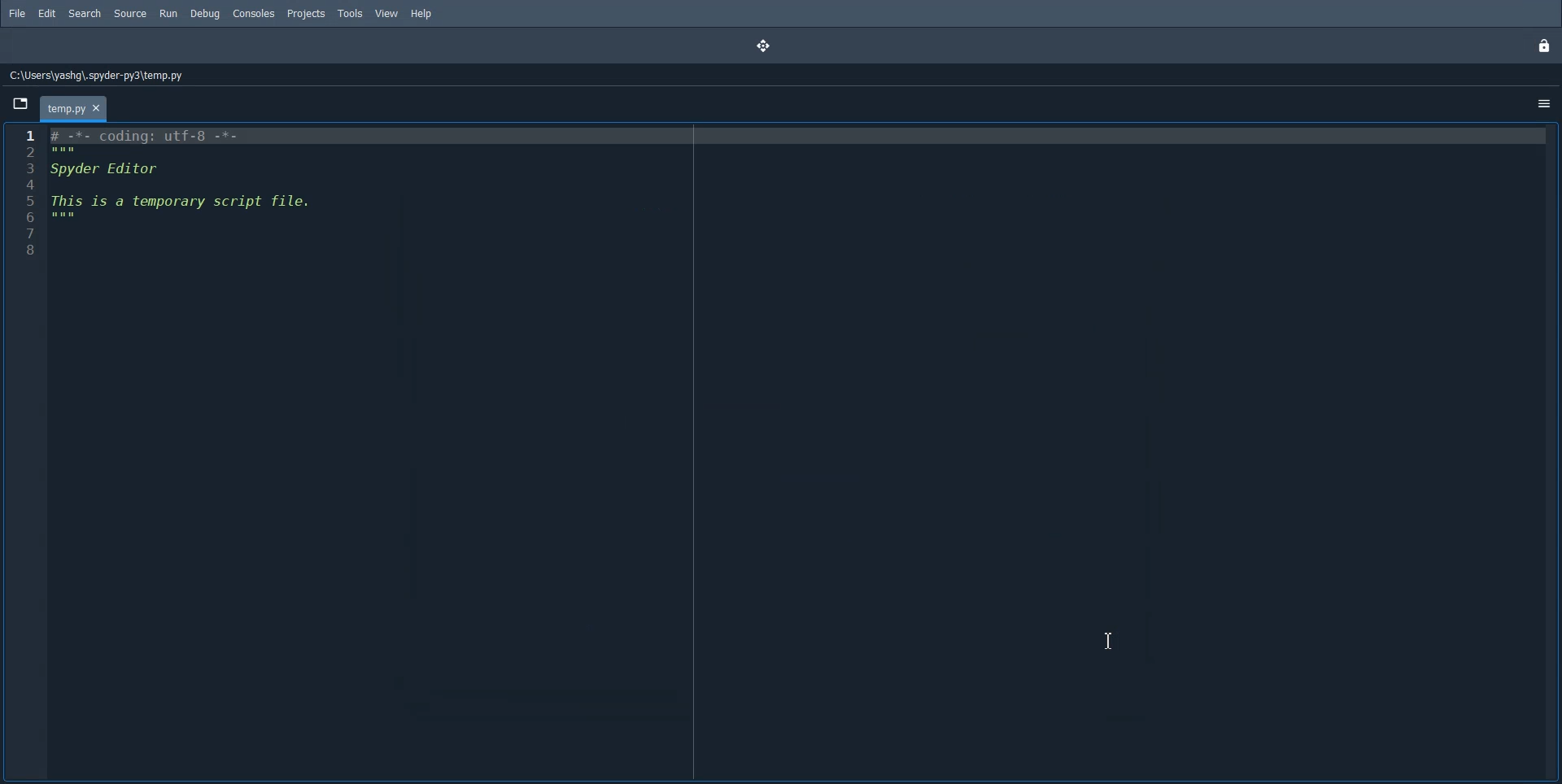 This screenshot has width=1562, height=784. Describe the element at coordinates (185, 175) in the screenshot. I see `Text` at that location.